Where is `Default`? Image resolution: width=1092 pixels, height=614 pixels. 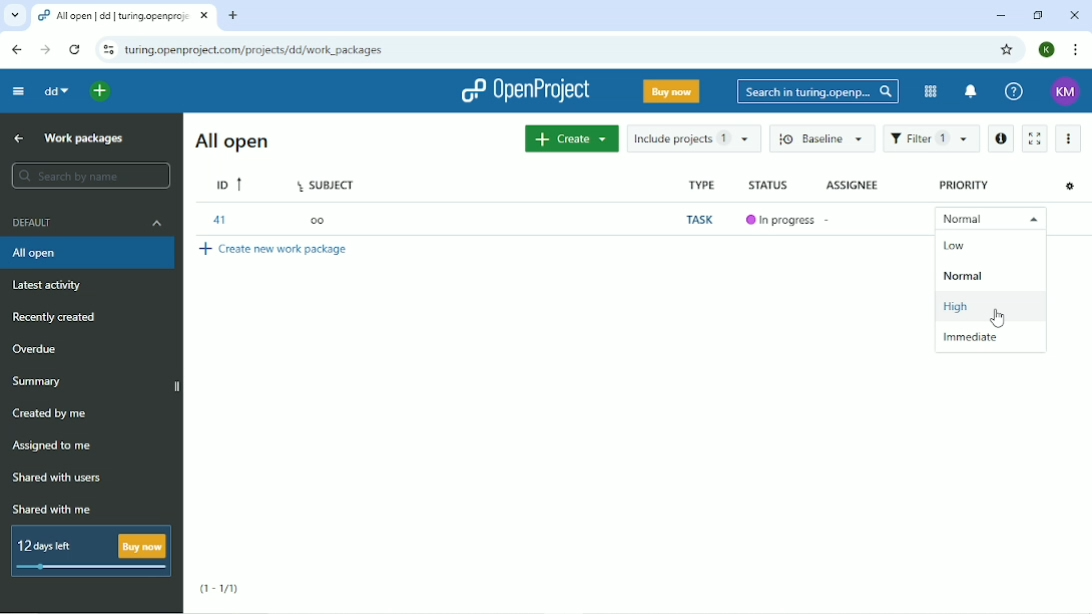 Default is located at coordinates (89, 220).